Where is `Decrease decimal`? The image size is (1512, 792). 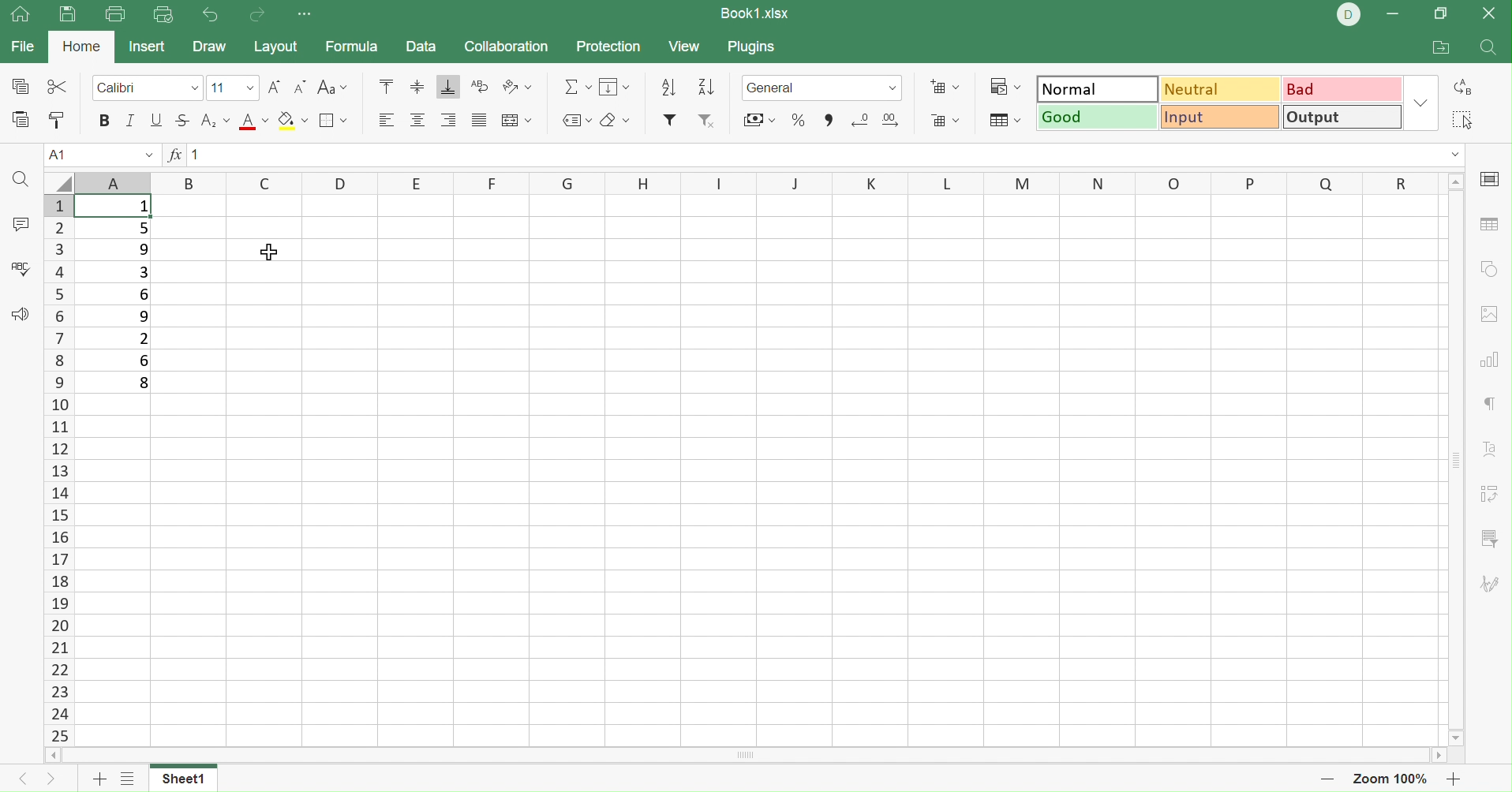 Decrease decimal is located at coordinates (856, 121).